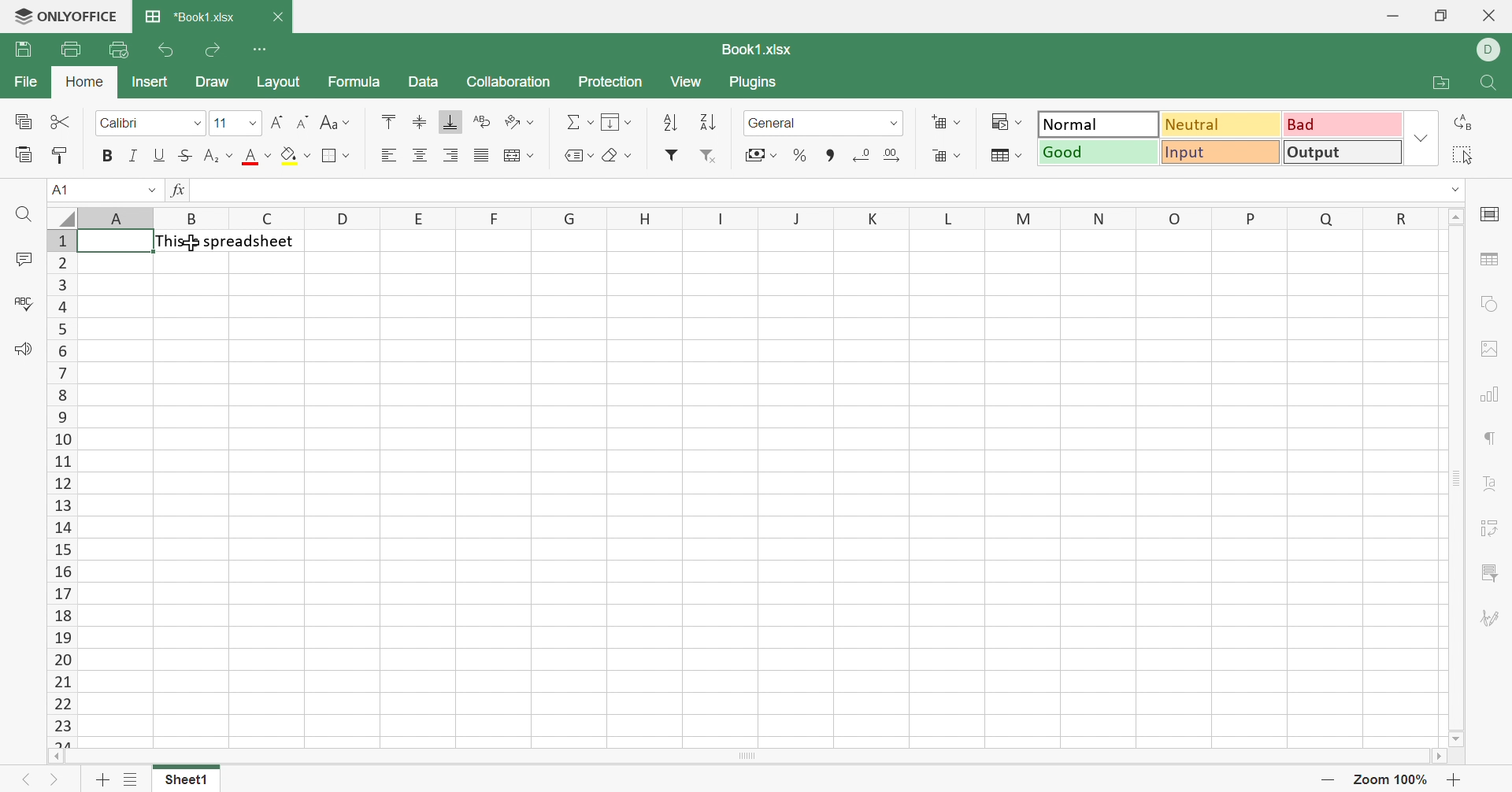 The width and height of the screenshot is (1512, 792). Describe the element at coordinates (1344, 125) in the screenshot. I see `Bad` at that location.